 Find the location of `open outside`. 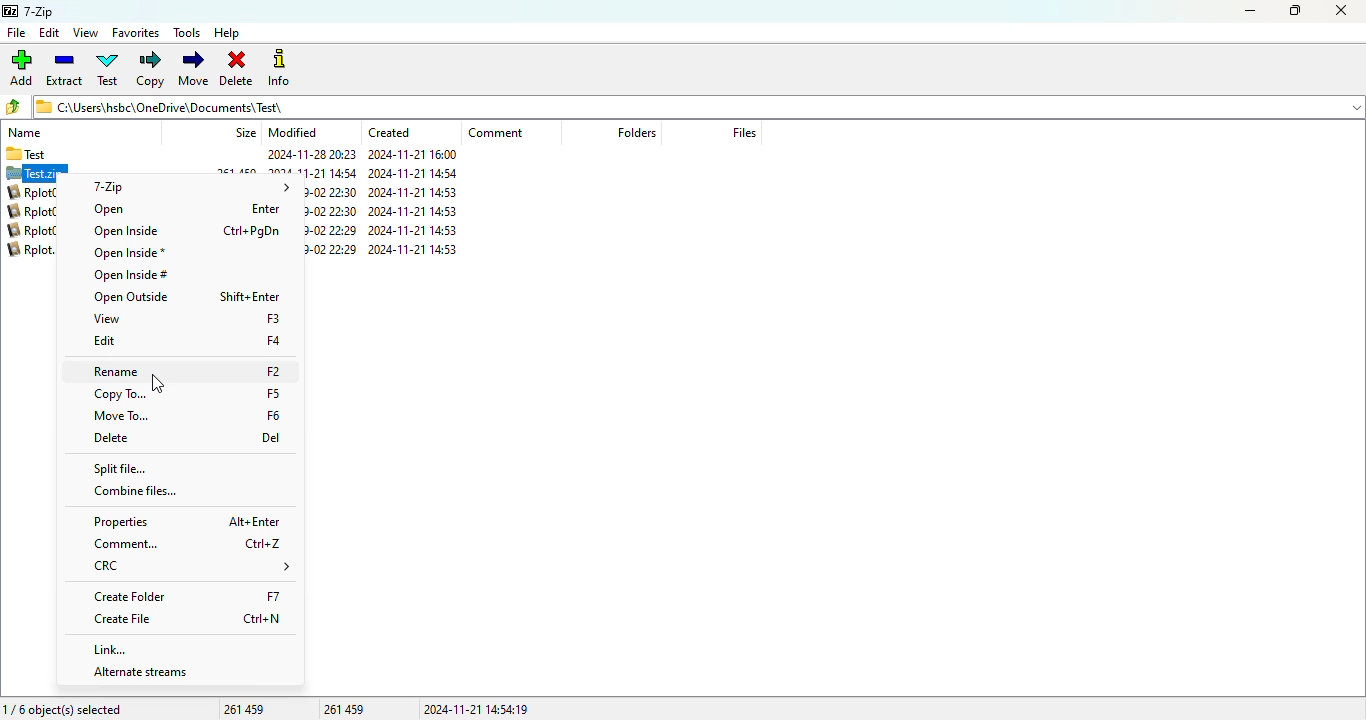

open outside is located at coordinates (131, 297).